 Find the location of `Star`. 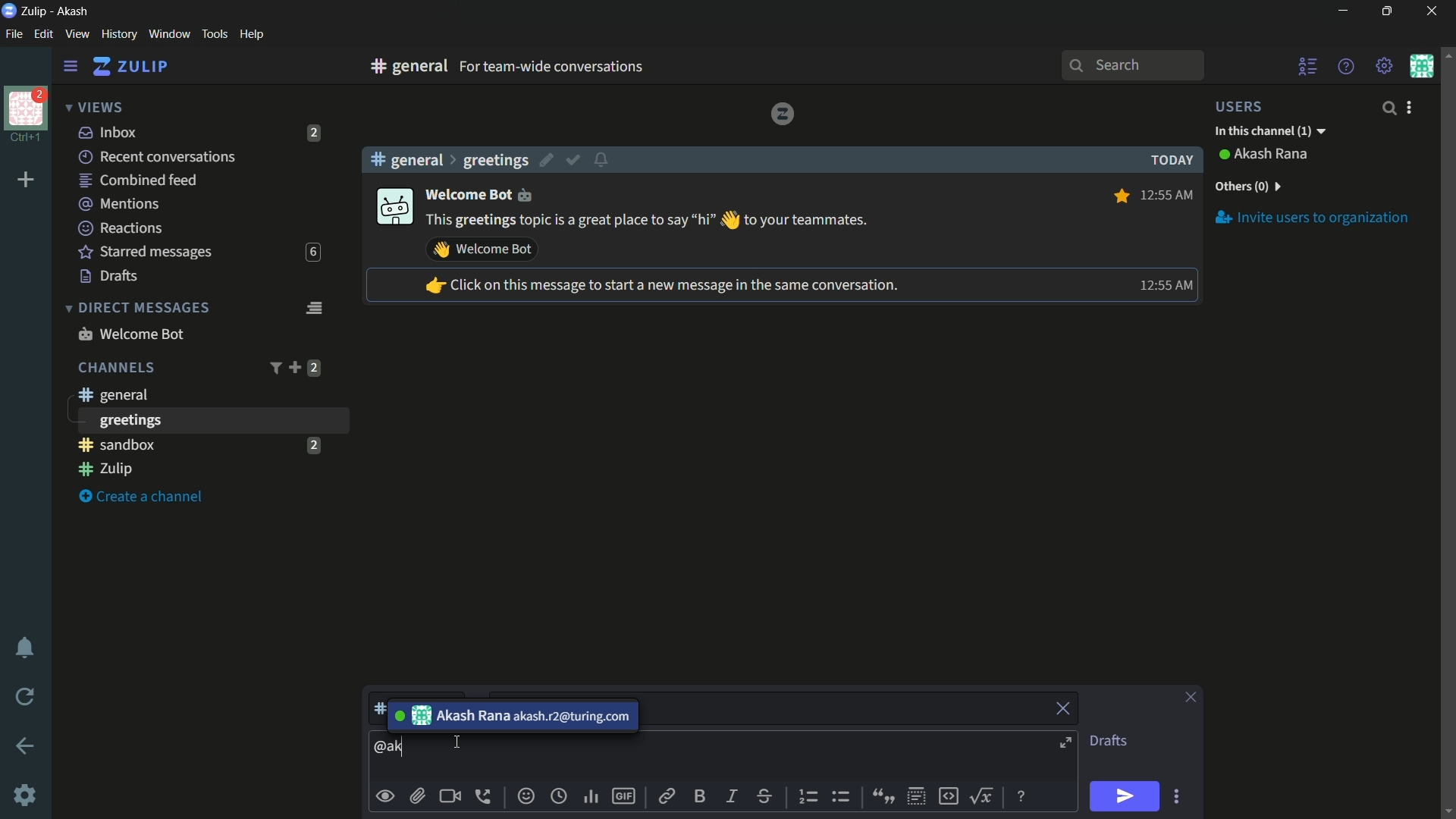

Star is located at coordinates (1119, 196).